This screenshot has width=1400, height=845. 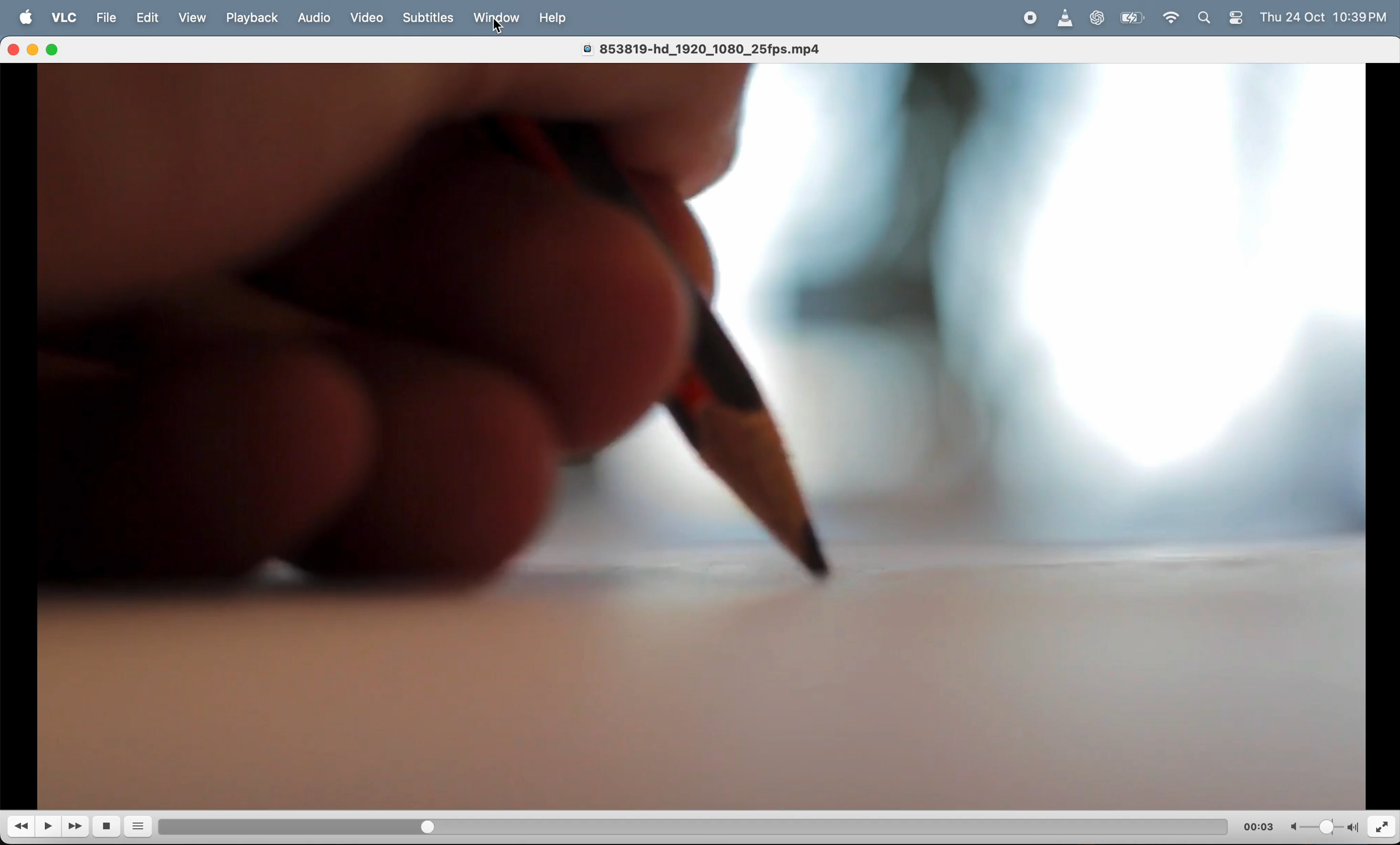 I want to click on help, so click(x=556, y=19).